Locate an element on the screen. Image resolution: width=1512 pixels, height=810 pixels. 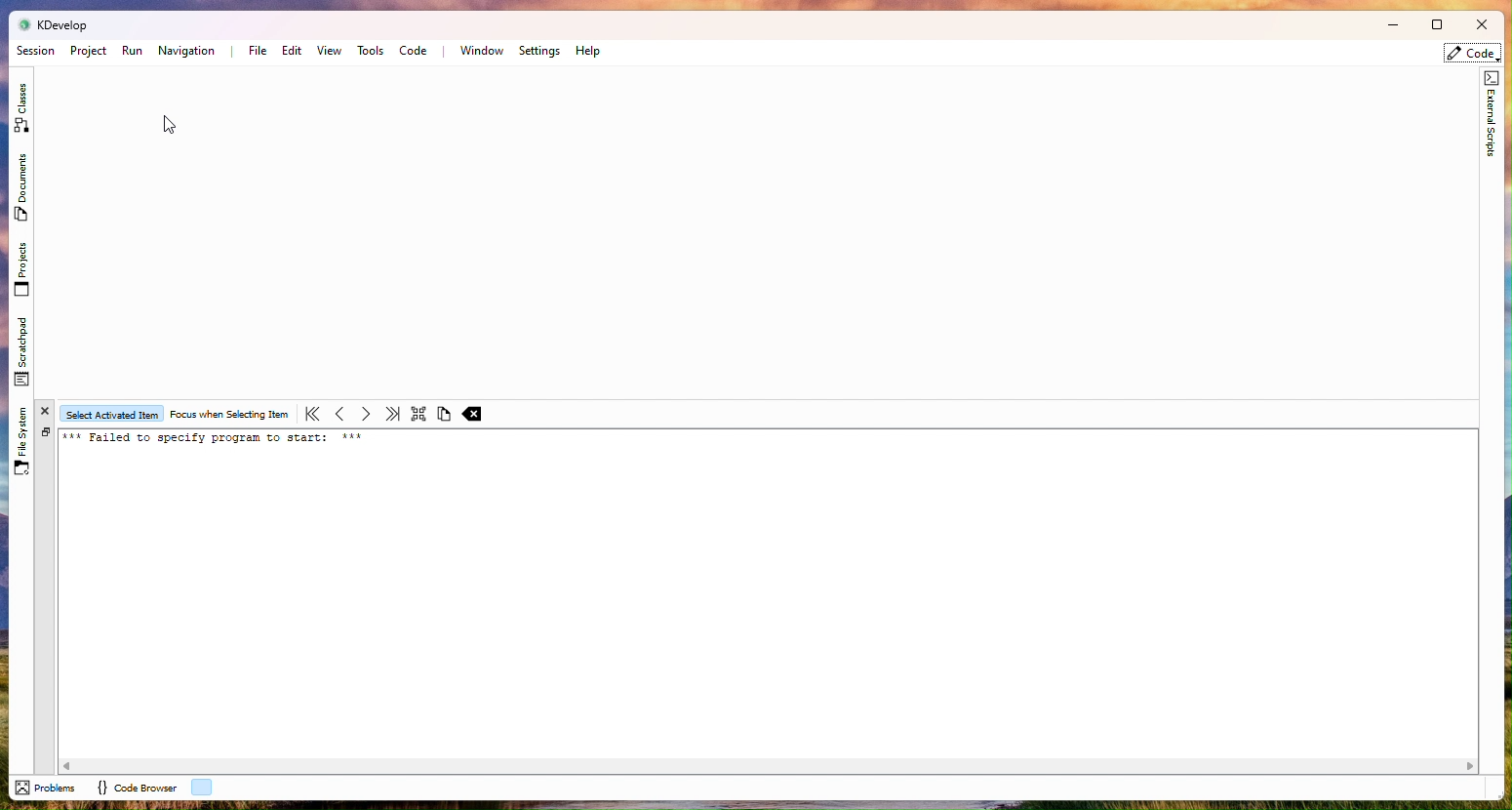
Run is located at coordinates (133, 51).